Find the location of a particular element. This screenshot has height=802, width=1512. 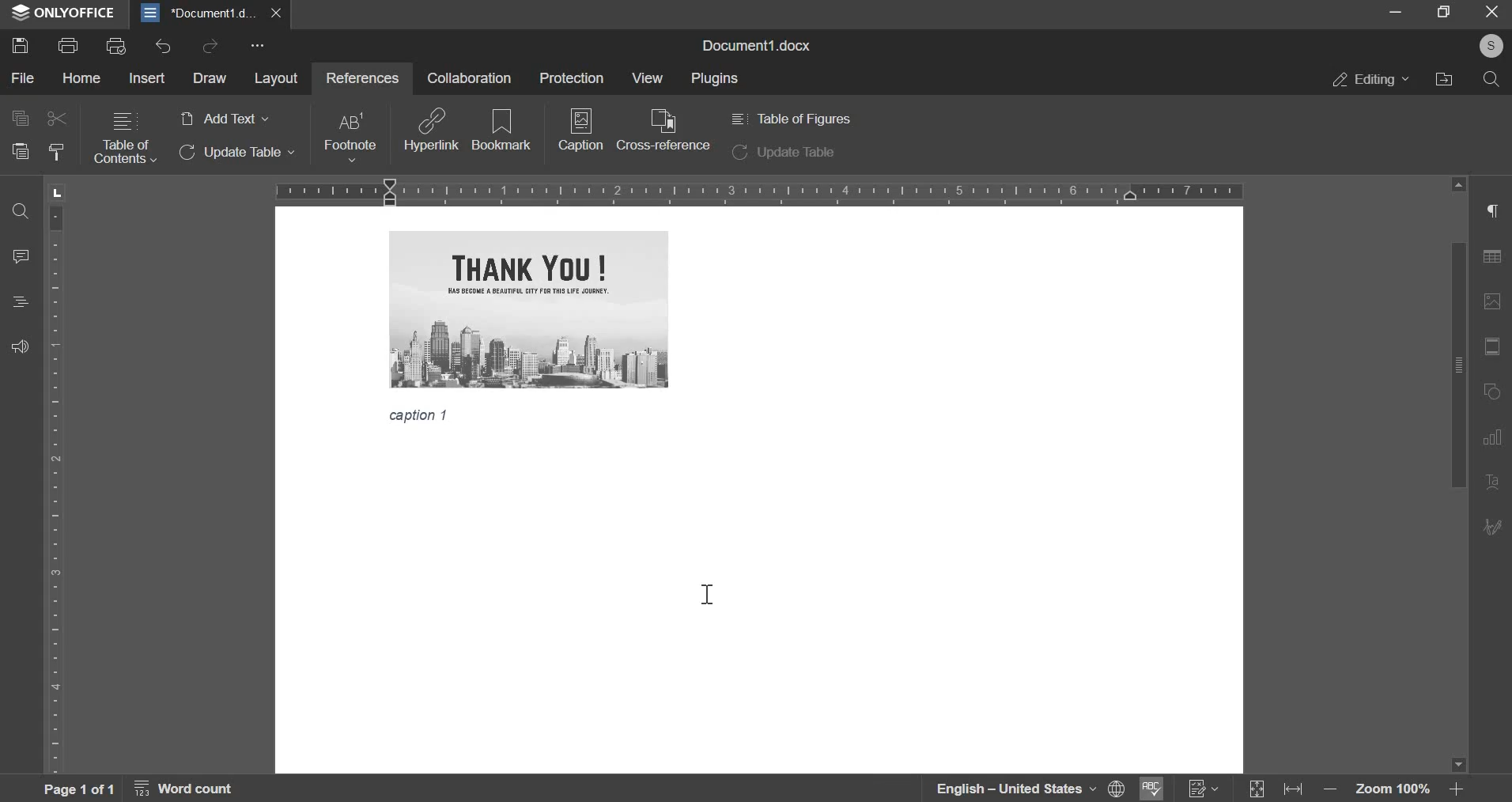

table of figures is located at coordinates (789, 119).